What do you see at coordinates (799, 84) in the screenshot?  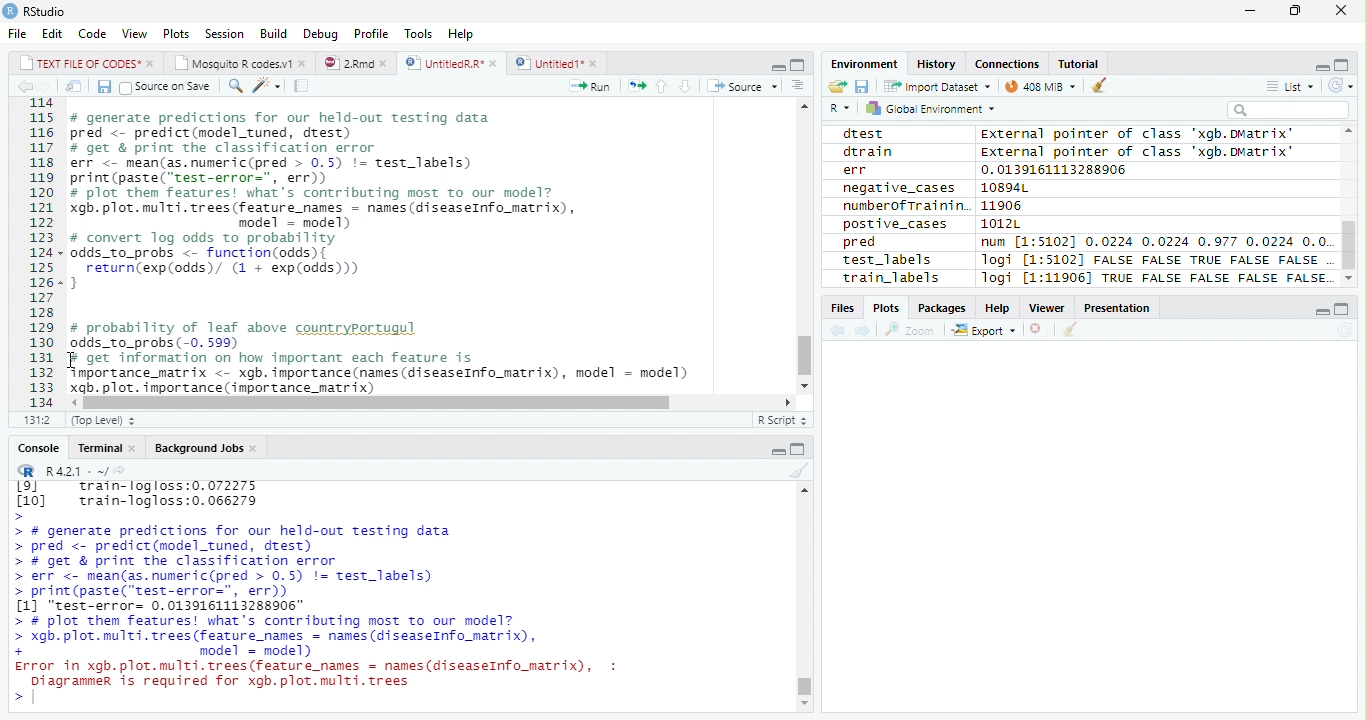 I see `Show Document Outline` at bounding box center [799, 84].